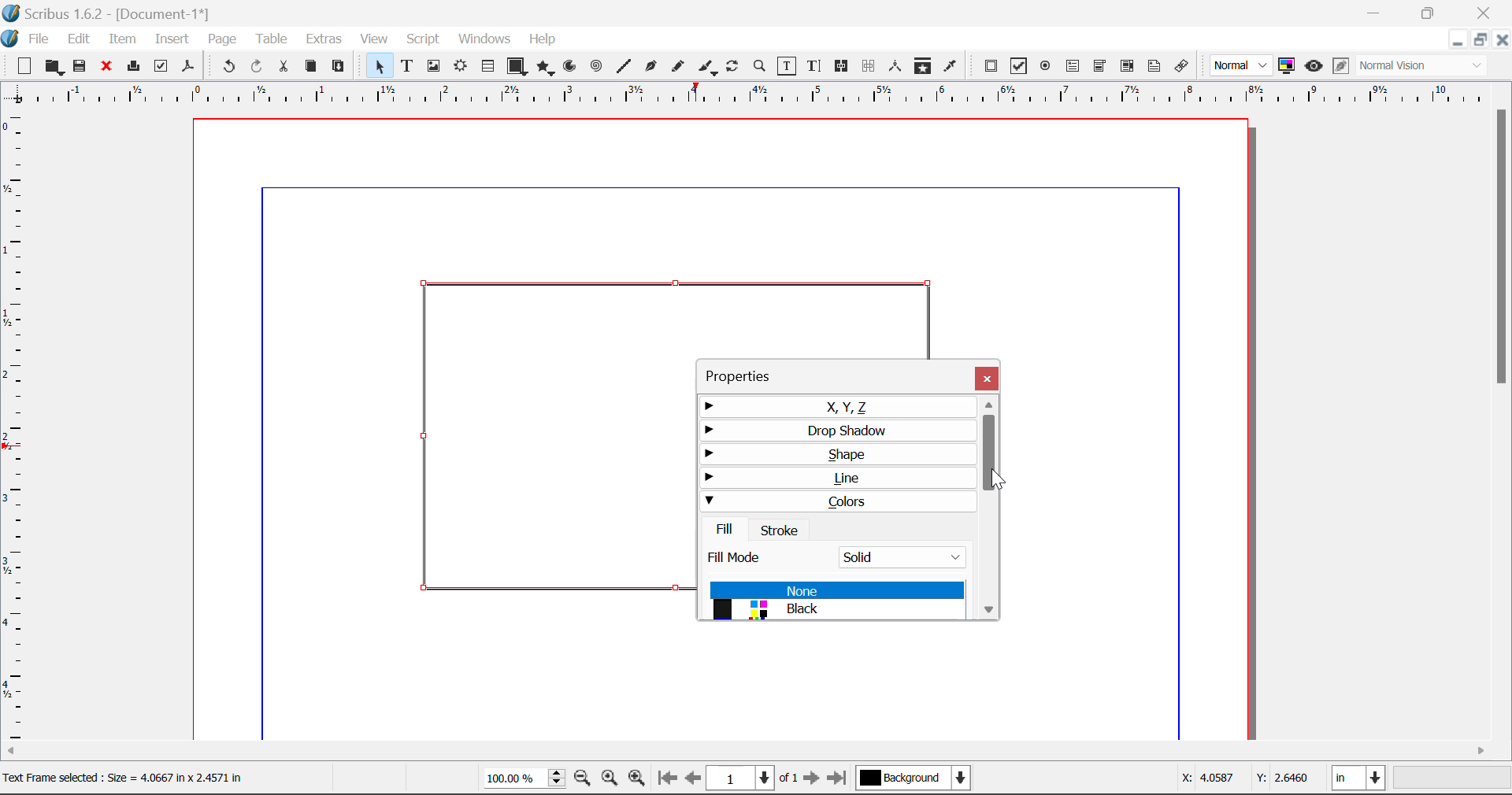  I want to click on Fill, so click(728, 529).